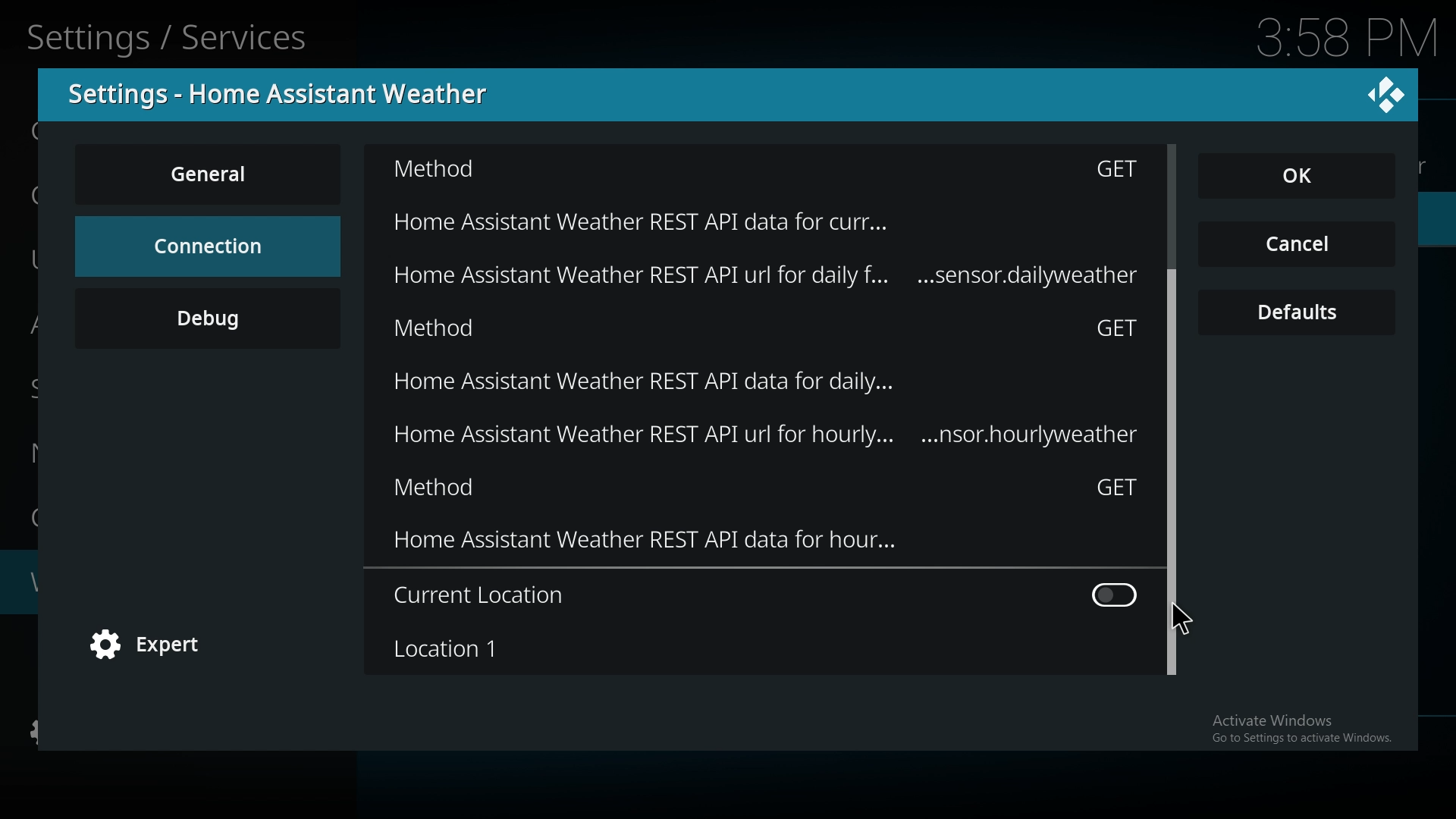  I want to click on defaults, so click(1298, 313).